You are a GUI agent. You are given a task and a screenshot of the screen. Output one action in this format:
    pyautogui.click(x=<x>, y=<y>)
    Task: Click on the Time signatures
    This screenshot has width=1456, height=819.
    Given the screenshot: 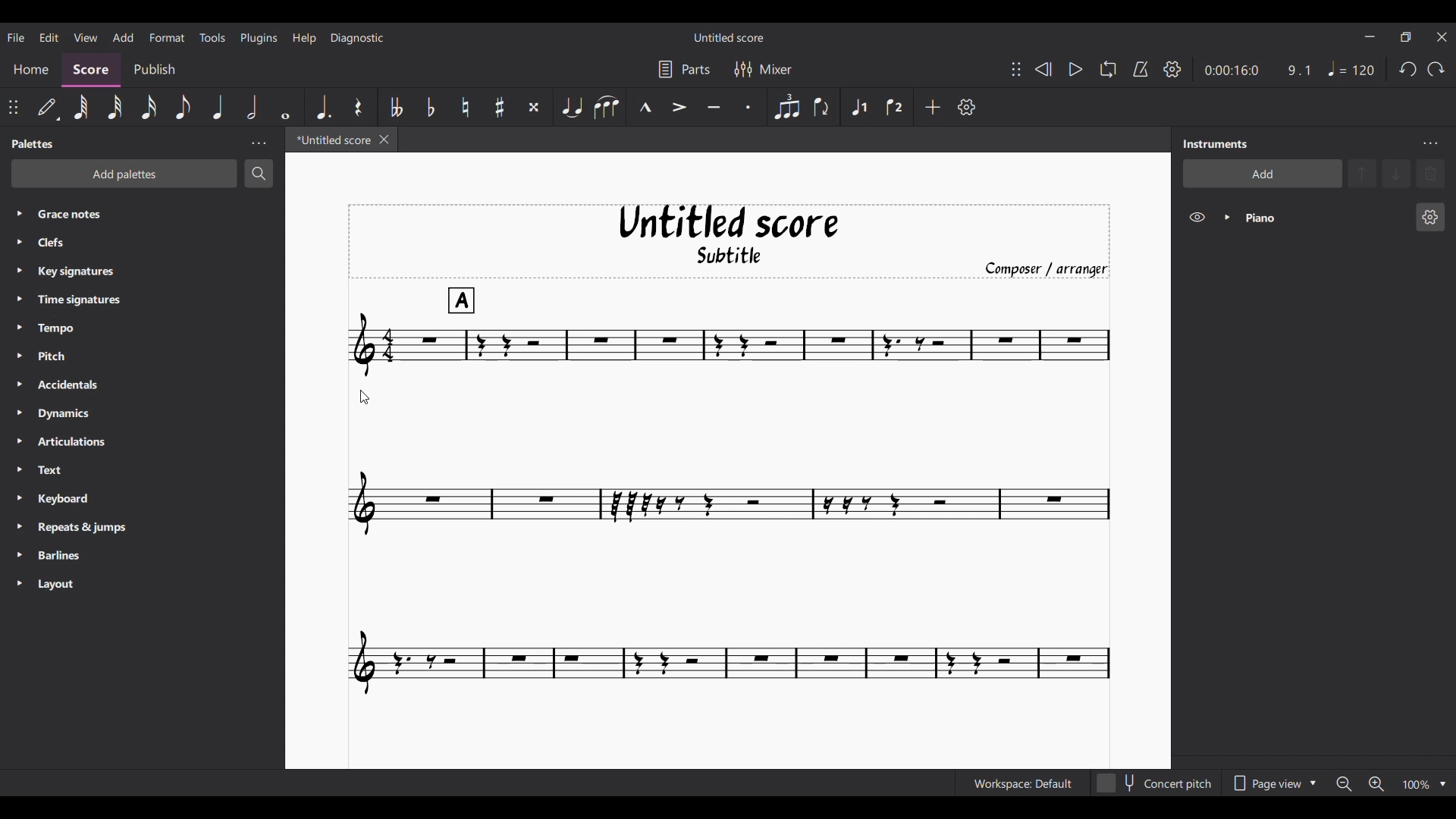 What is the action you would take?
    pyautogui.click(x=93, y=299)
    